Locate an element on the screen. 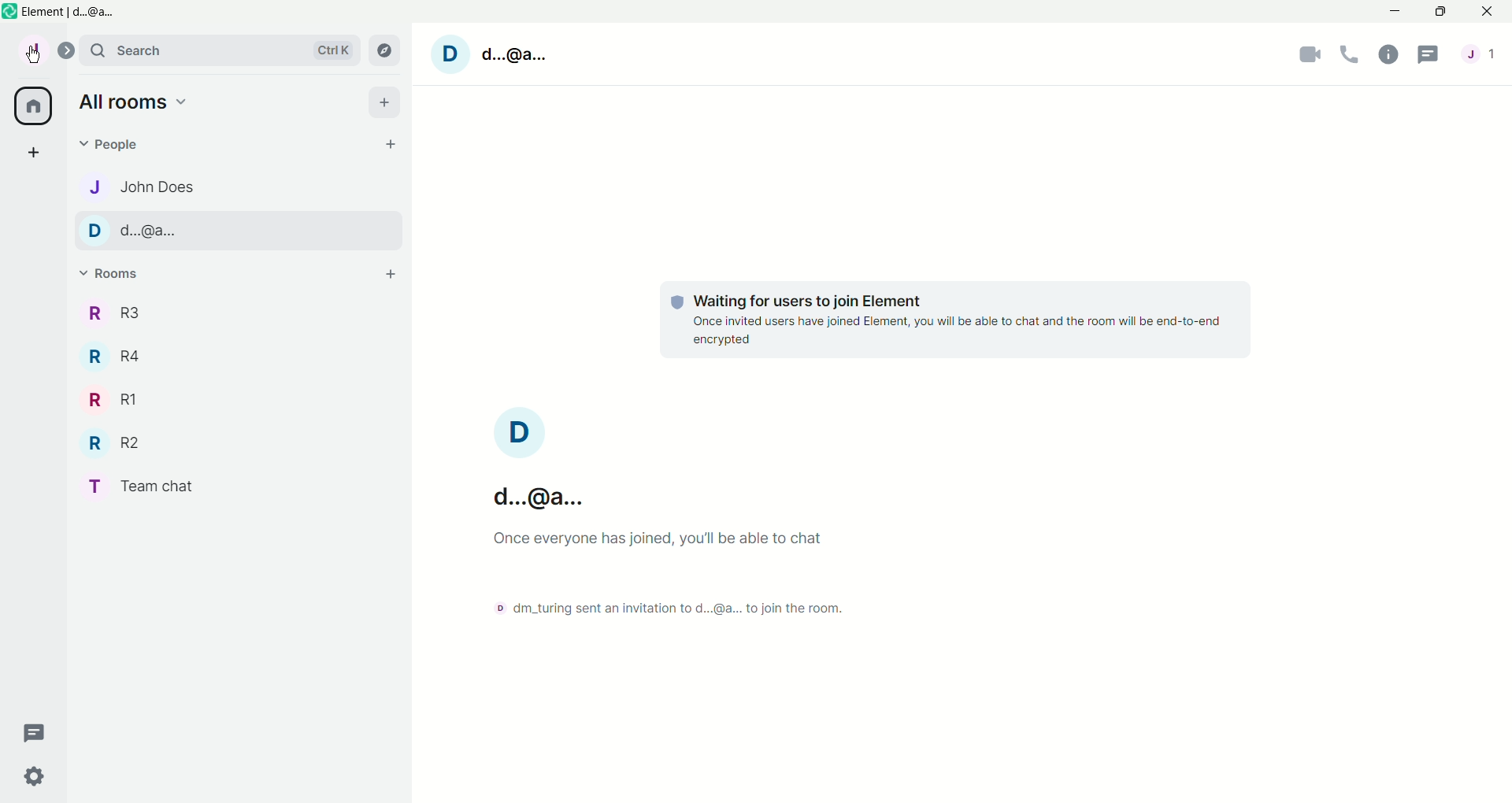  Rooms is located at coordinates (113, 274).